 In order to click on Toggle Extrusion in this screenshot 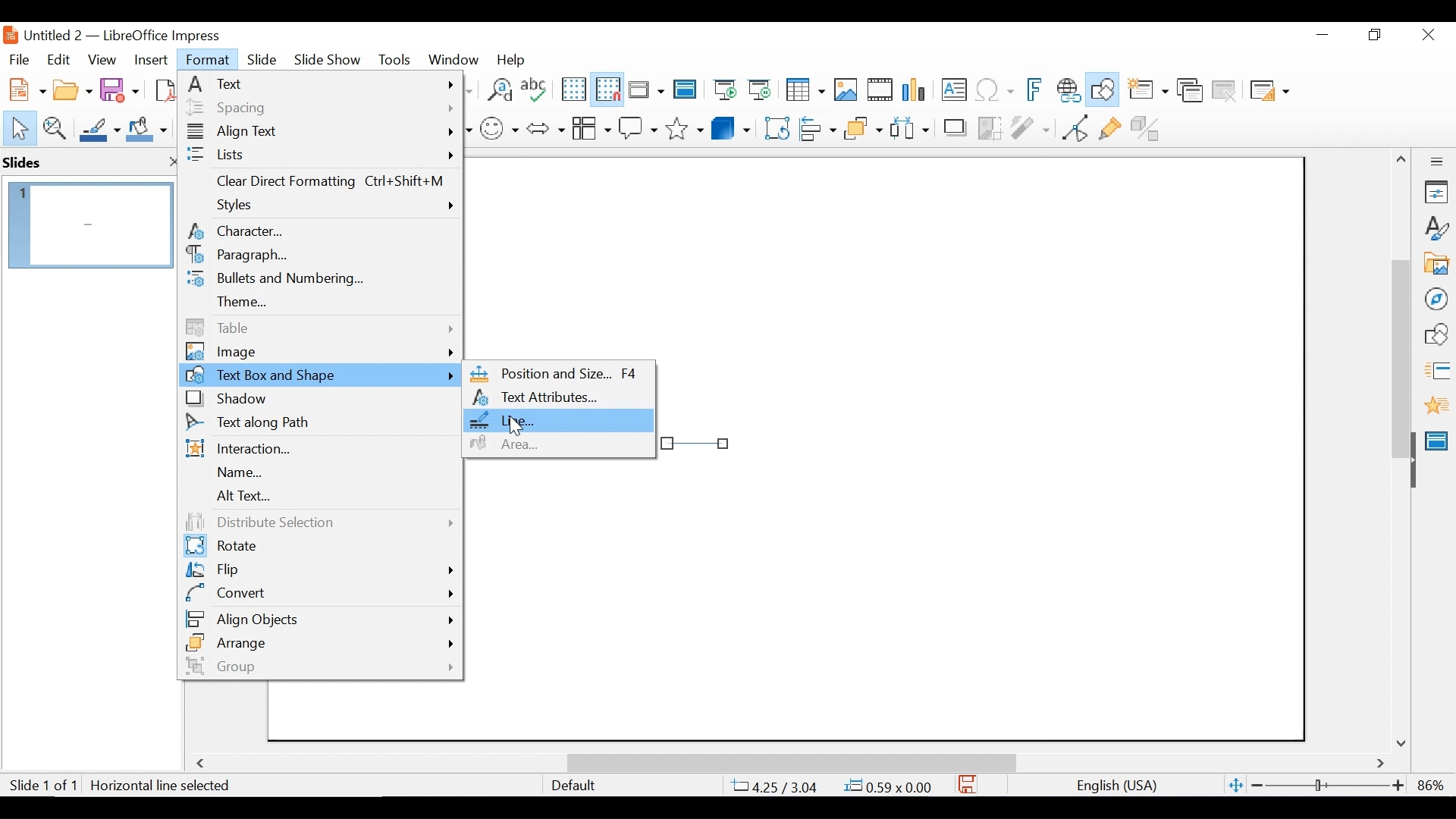, I will do `click(1149, 127)`.